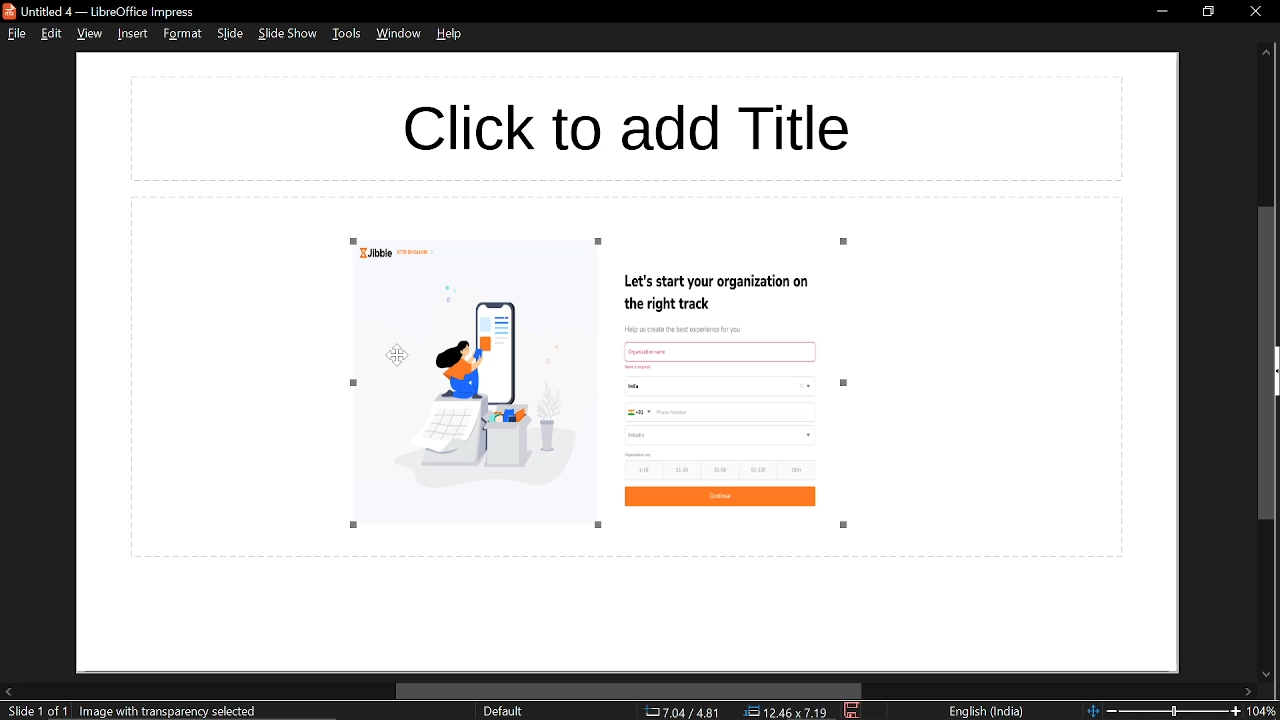 This screenshot has height=720, width=1280. What do you see at coordinates (33, 712) in the screenshot?
I see `current slide` at bounding box center [33, 712].